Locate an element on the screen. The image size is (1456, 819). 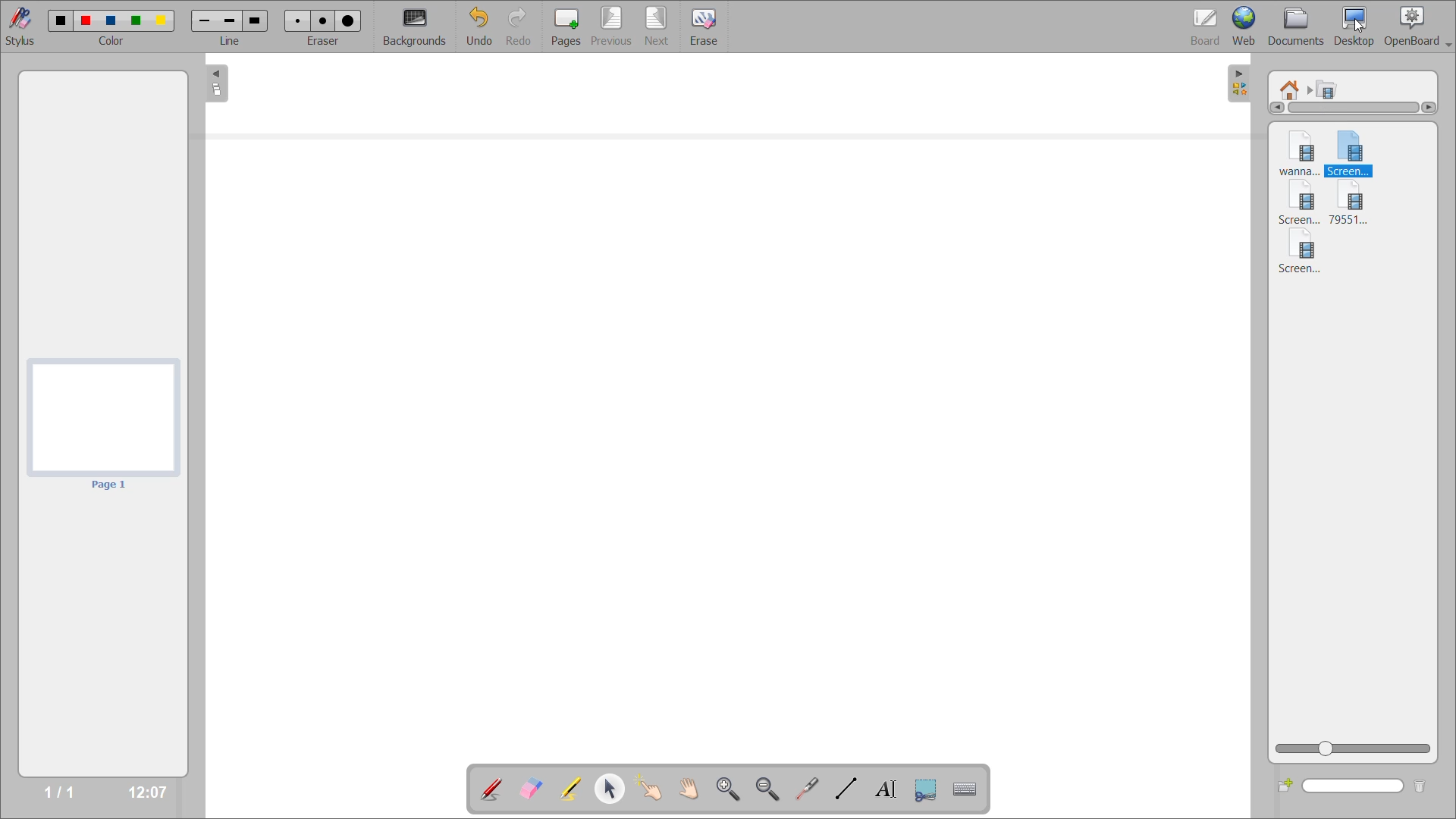
color 3 is located at coordinates (114, 20).